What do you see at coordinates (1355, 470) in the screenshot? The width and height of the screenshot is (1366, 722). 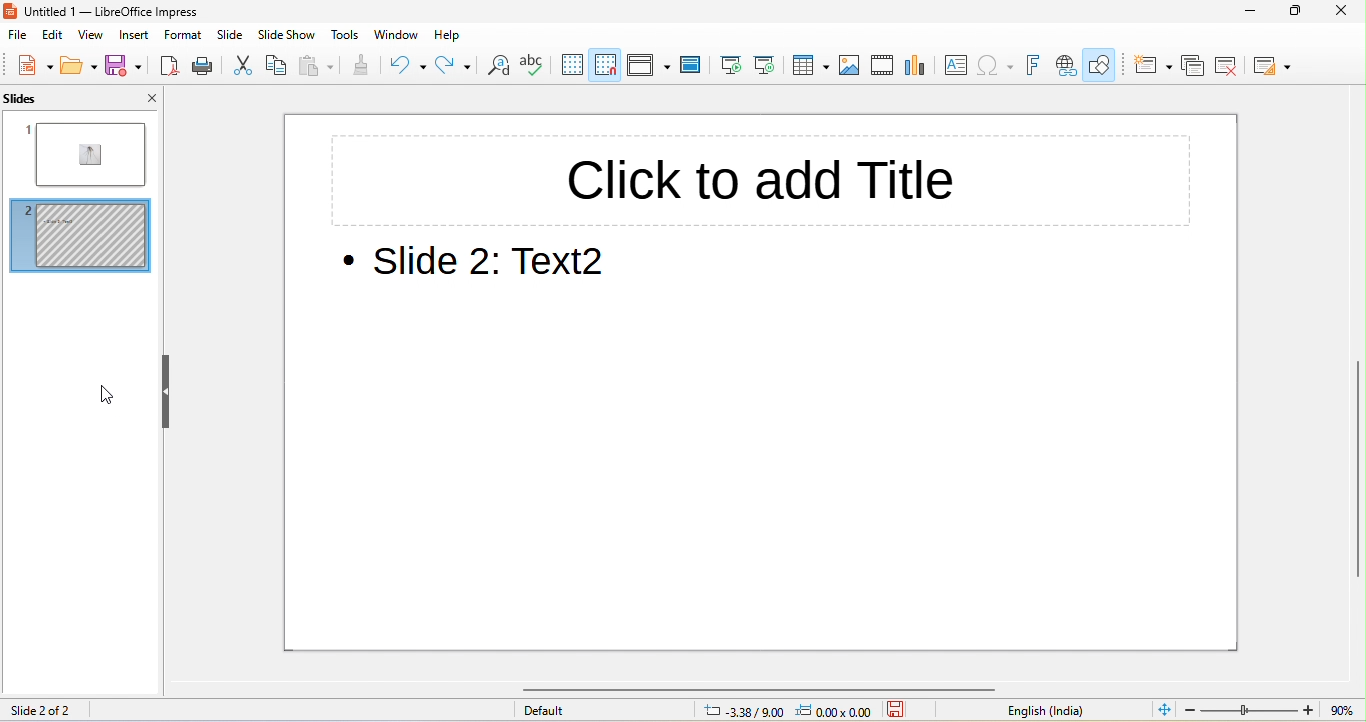 I see `vertical scroll bar` at bounding box center [1355, 470].